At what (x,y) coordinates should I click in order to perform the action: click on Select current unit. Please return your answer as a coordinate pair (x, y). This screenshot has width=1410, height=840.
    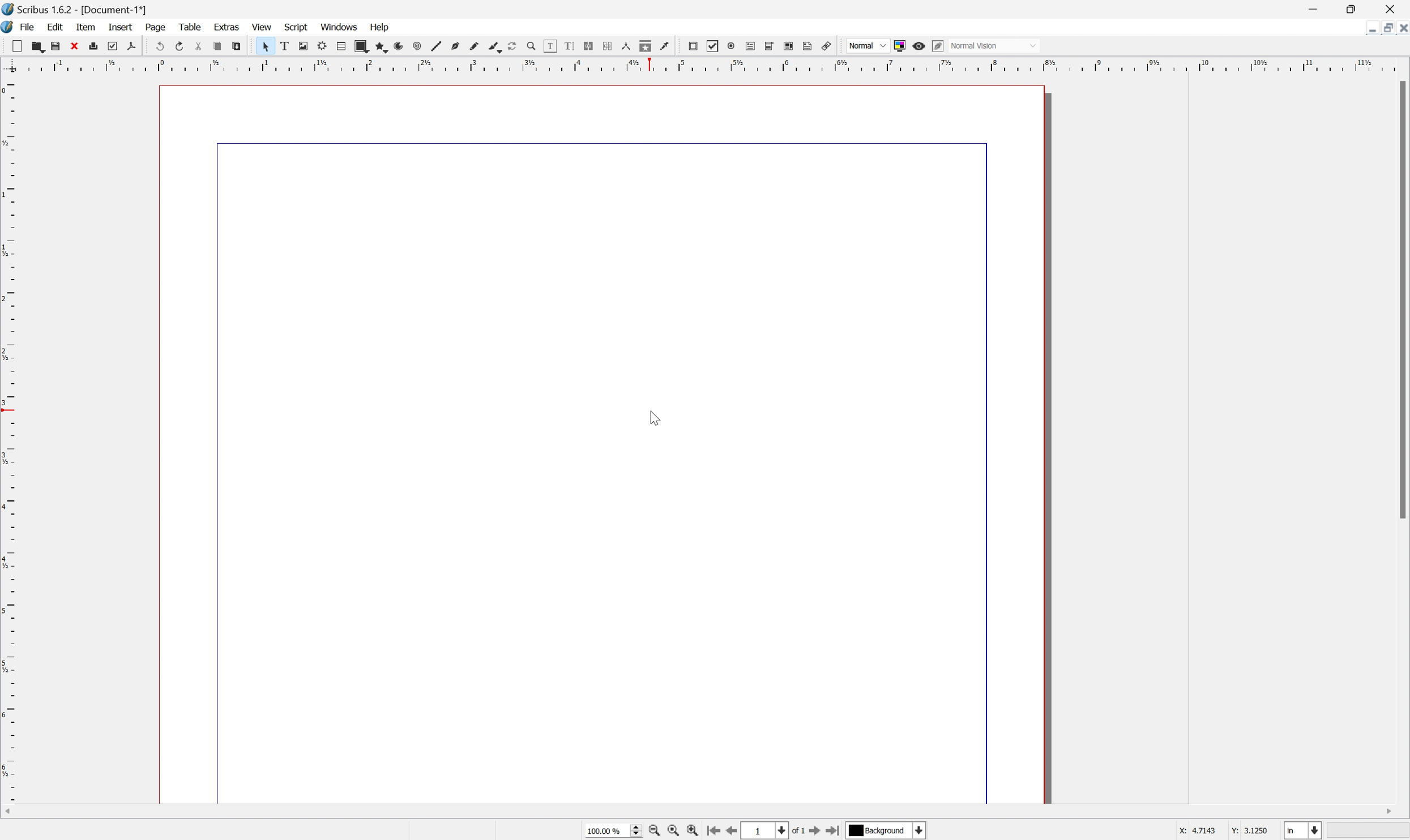
    Looking at the image, I should click on (1302, 829).